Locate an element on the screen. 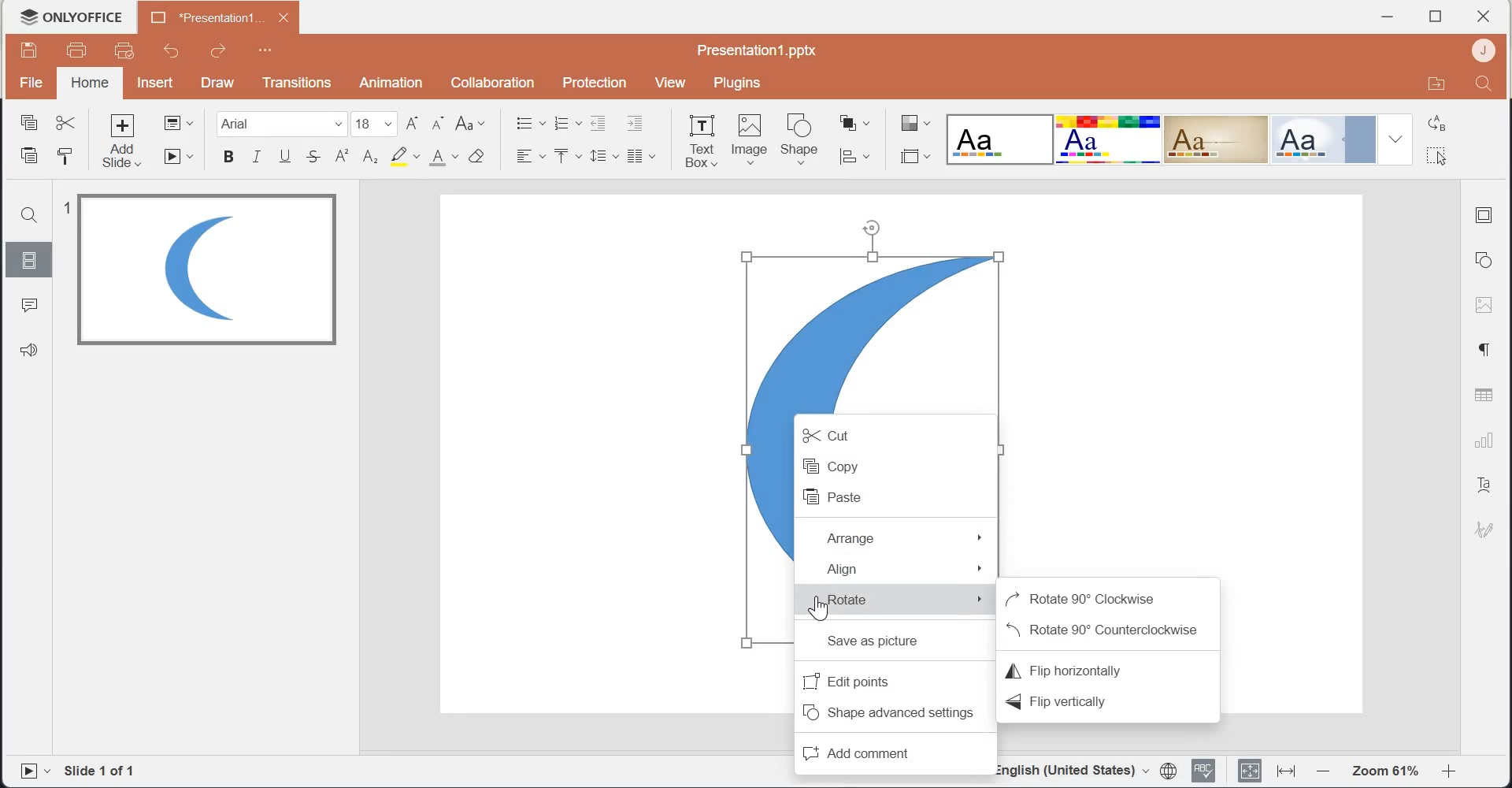  Collaboration is located at coordinates (493, 82).